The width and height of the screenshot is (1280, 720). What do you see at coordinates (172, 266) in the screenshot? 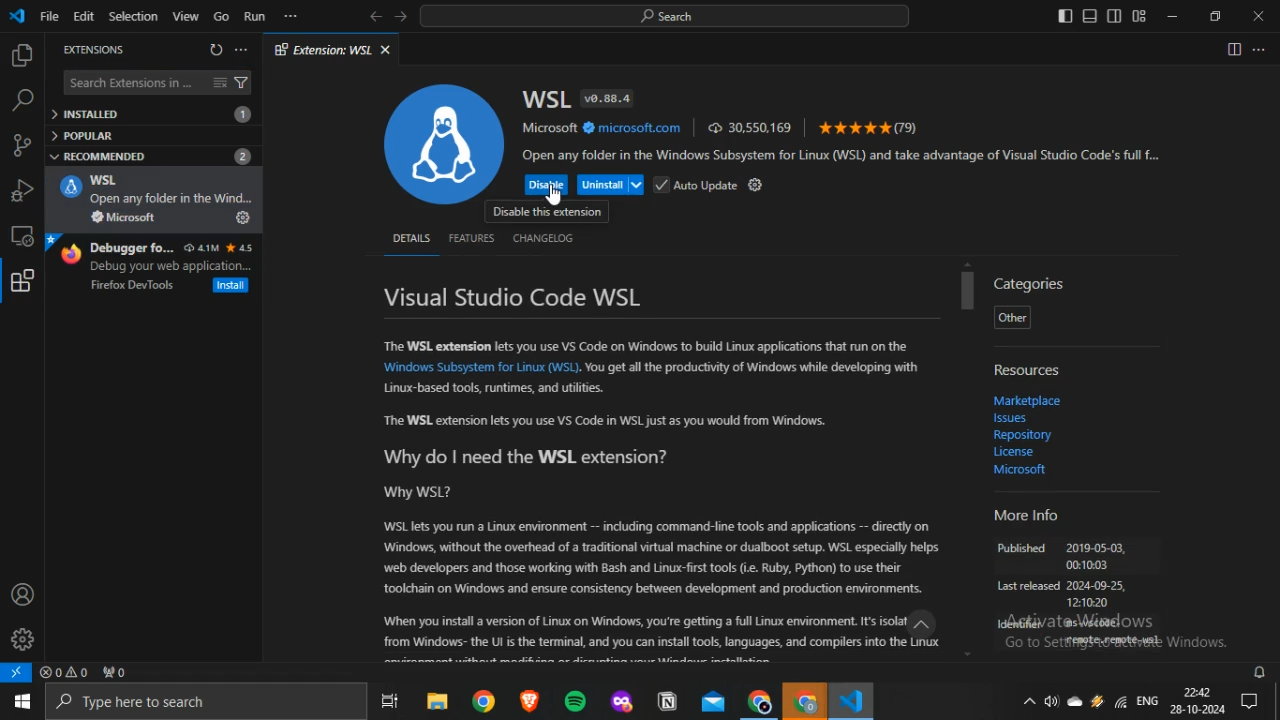
I see `Debug your web application...` at bounding box center [172, 266].